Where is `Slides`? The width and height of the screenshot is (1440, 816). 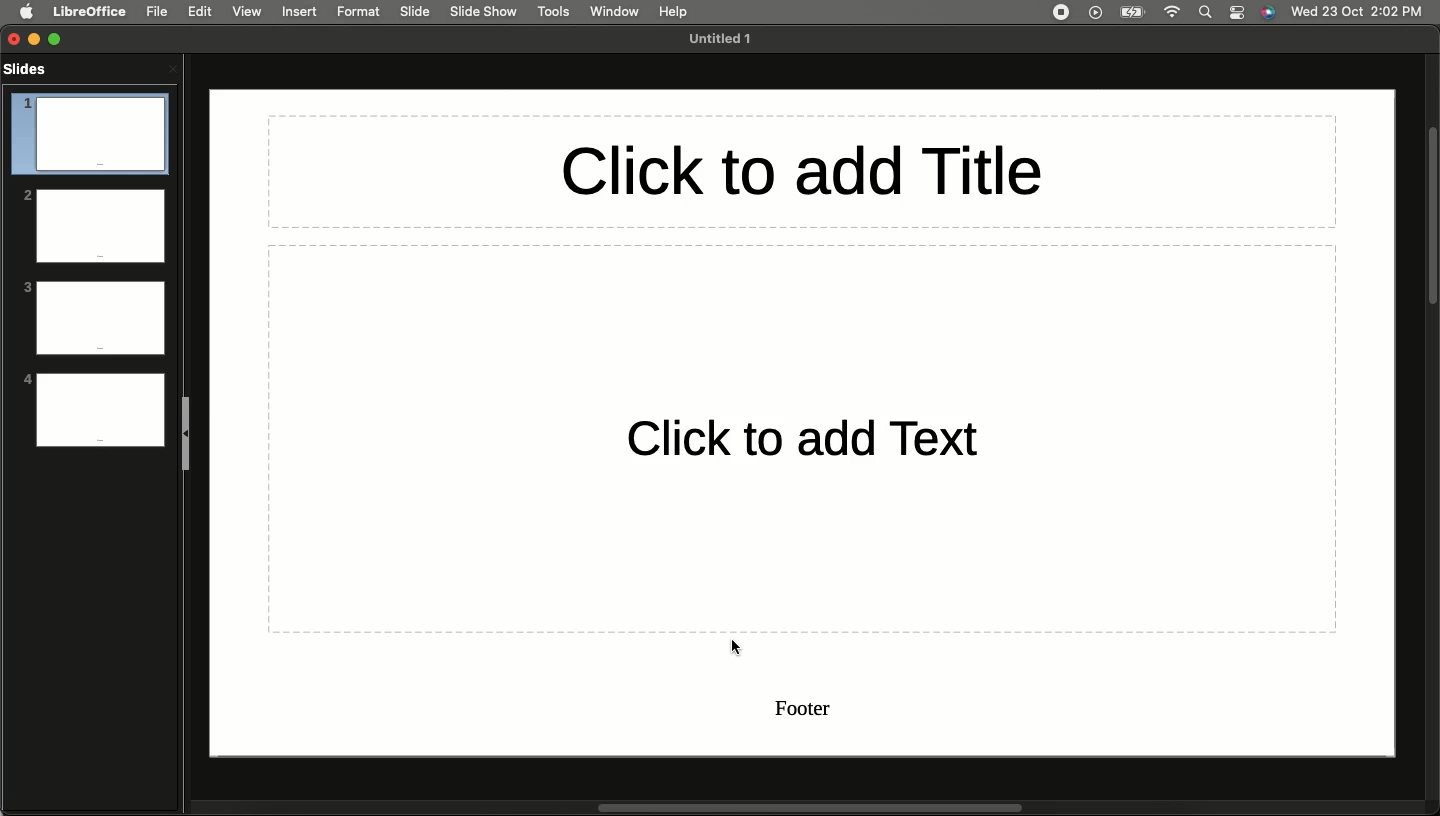 Slides is located at coordinates (35, 77).